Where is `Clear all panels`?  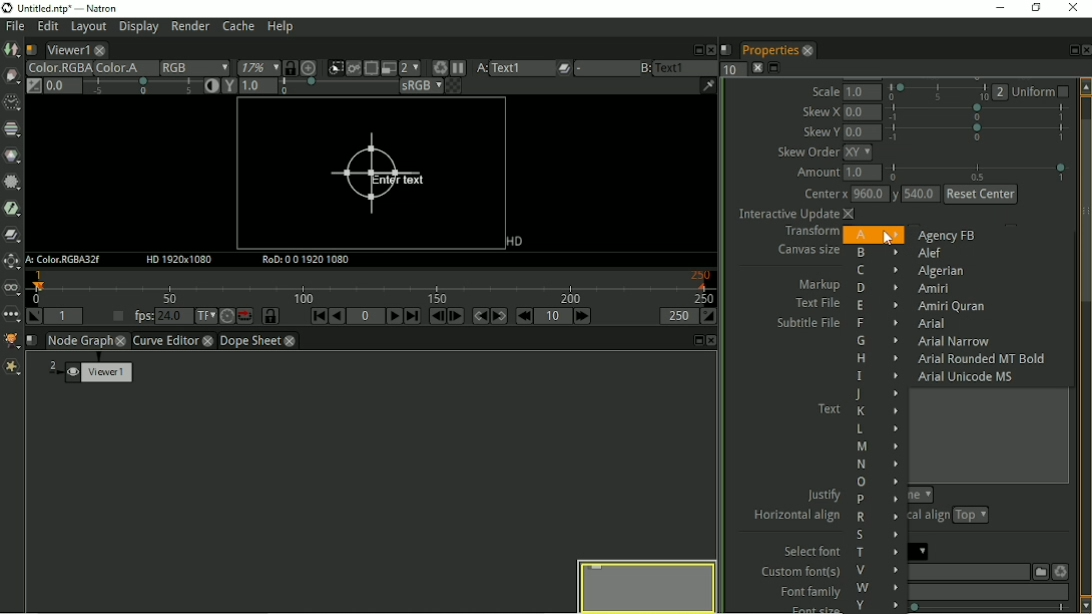
Clear all panels is located at coordinates (757, 68).